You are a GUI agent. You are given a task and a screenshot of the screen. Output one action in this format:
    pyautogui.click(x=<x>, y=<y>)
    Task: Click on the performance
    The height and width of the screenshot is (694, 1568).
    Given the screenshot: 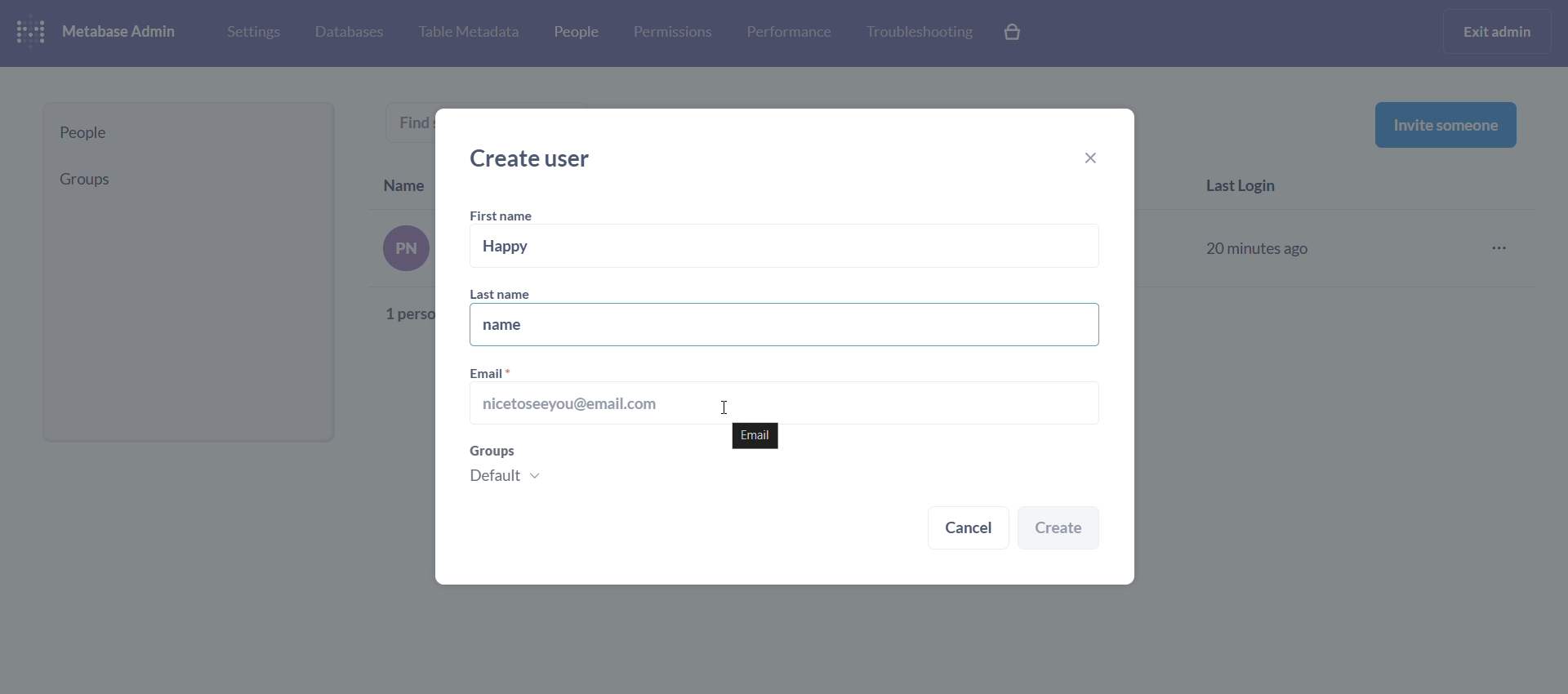 What is the action you would take?
    pyautogui.click(x=789, y=31)
    